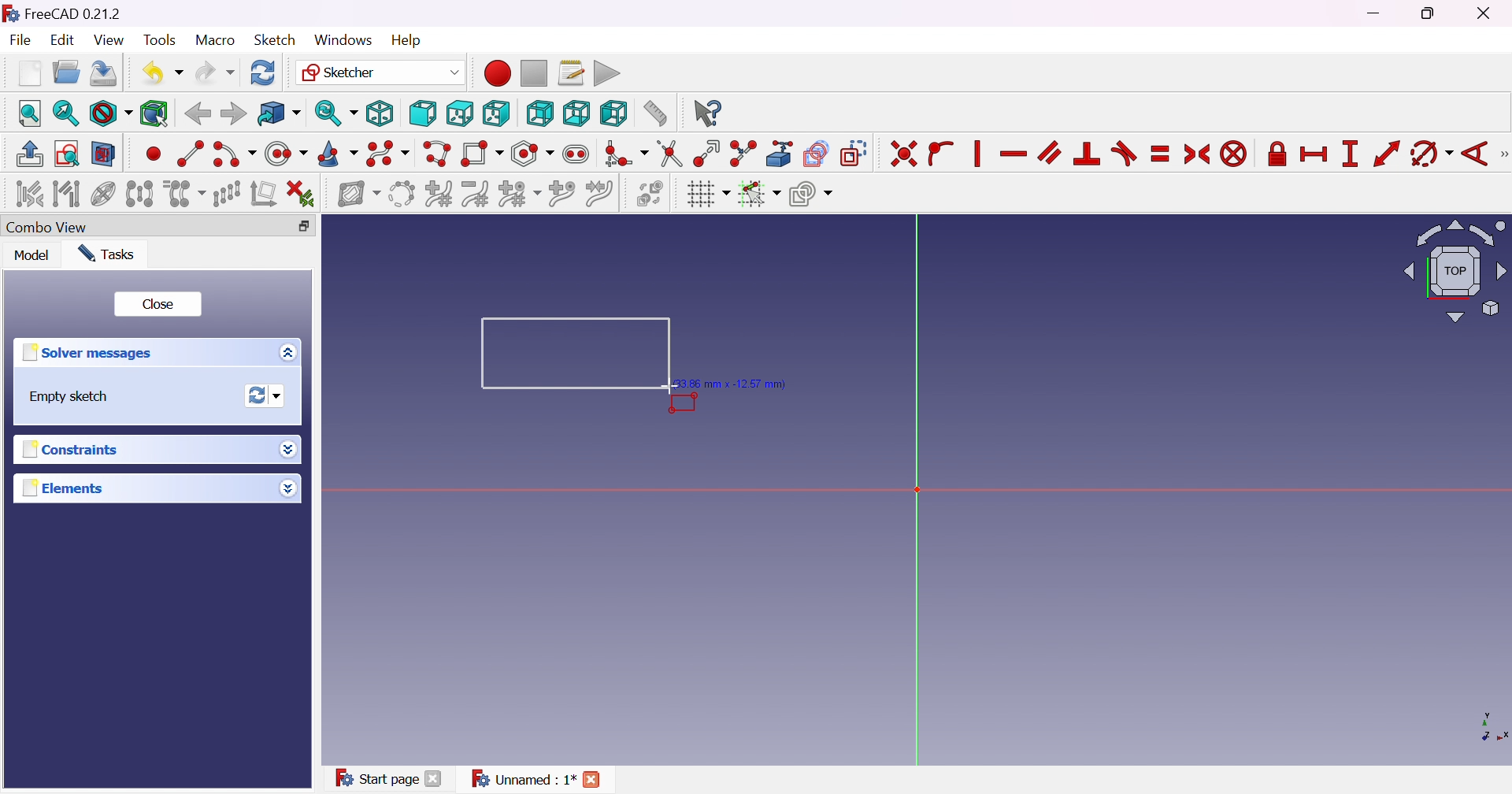 This screenshot has width=1512, height=794. I want to click on Bounding box, so click(155, 115).